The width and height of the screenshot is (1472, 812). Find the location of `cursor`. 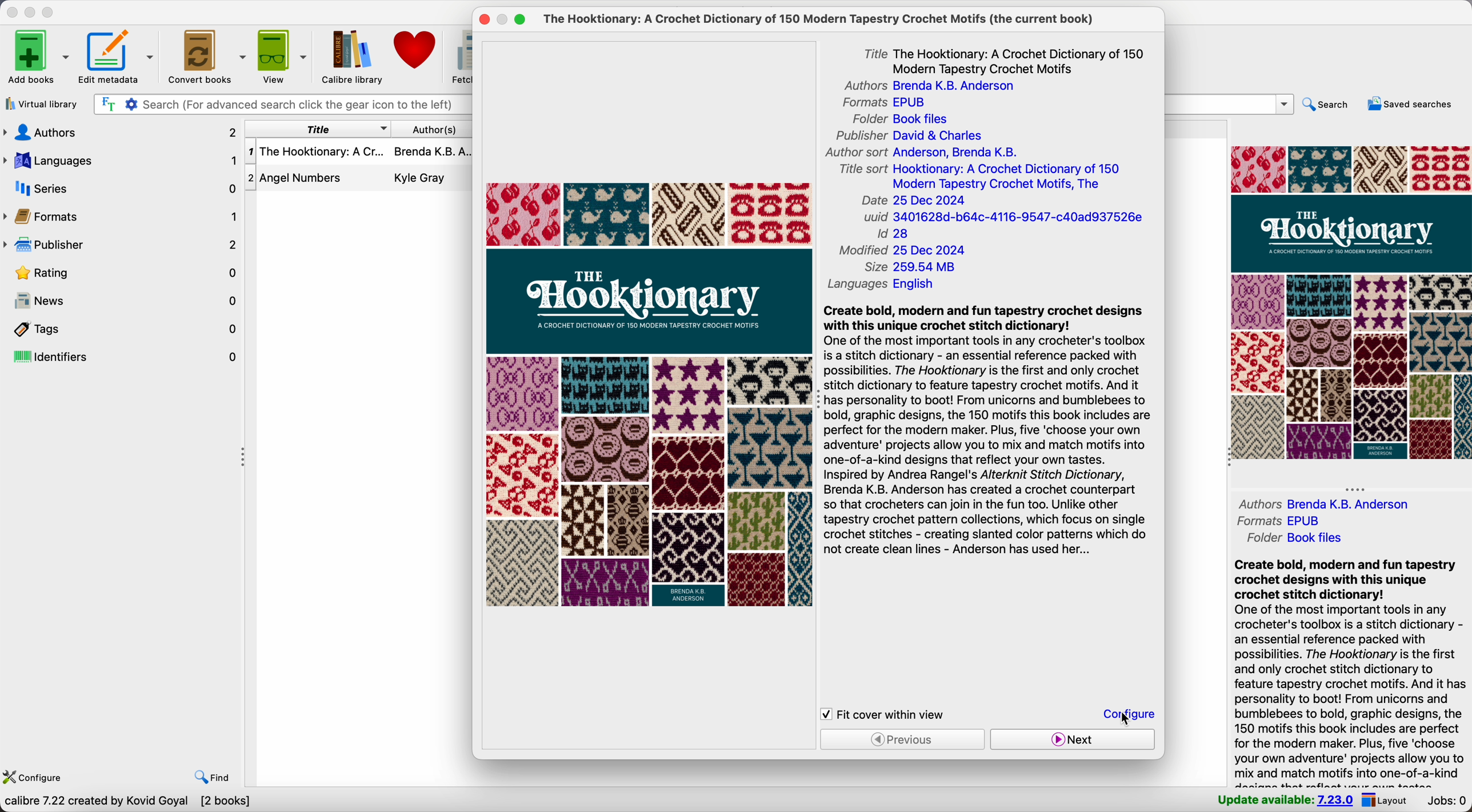

cursor is located at coordinates (1122, 717).